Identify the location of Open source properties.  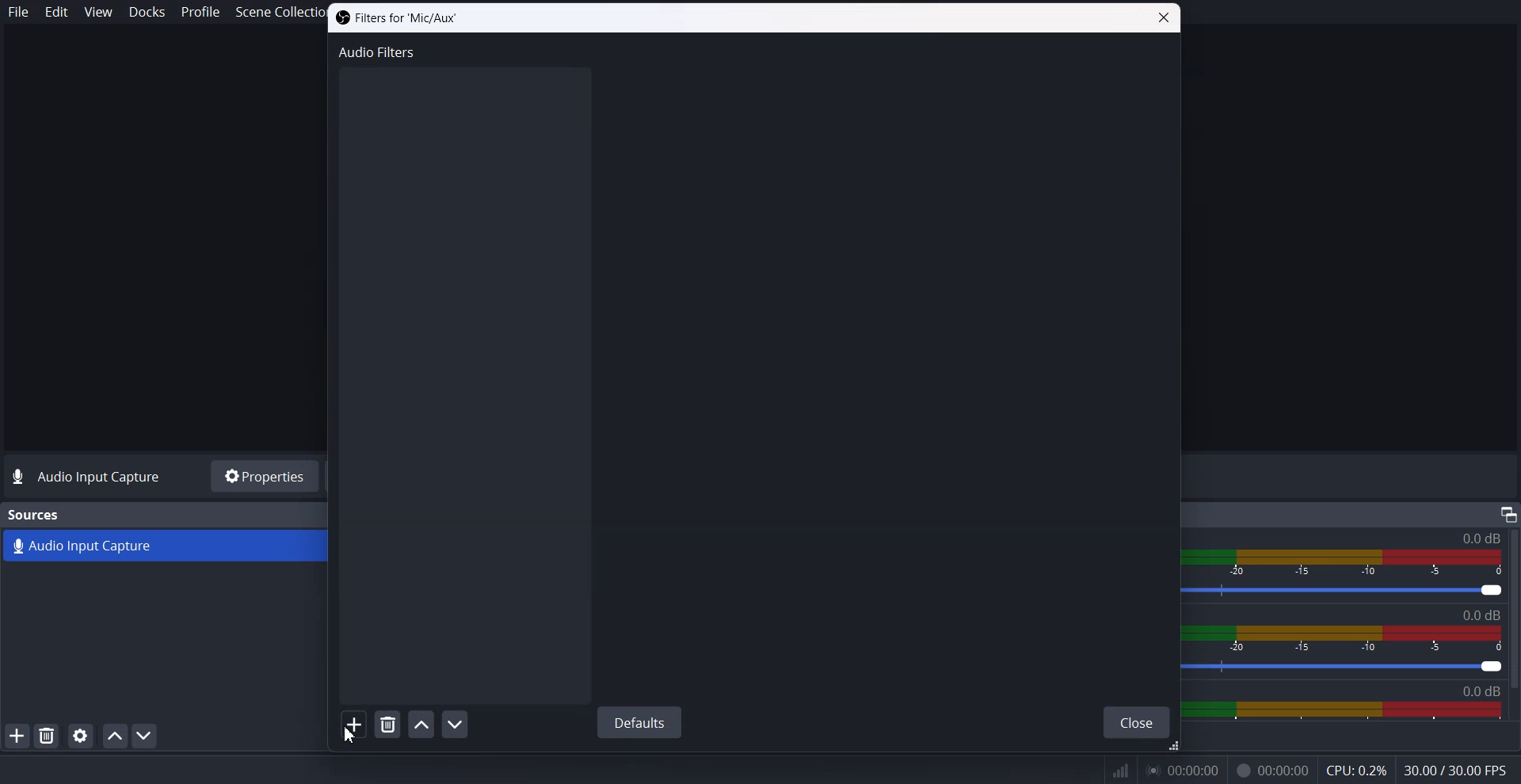
(79, 736).